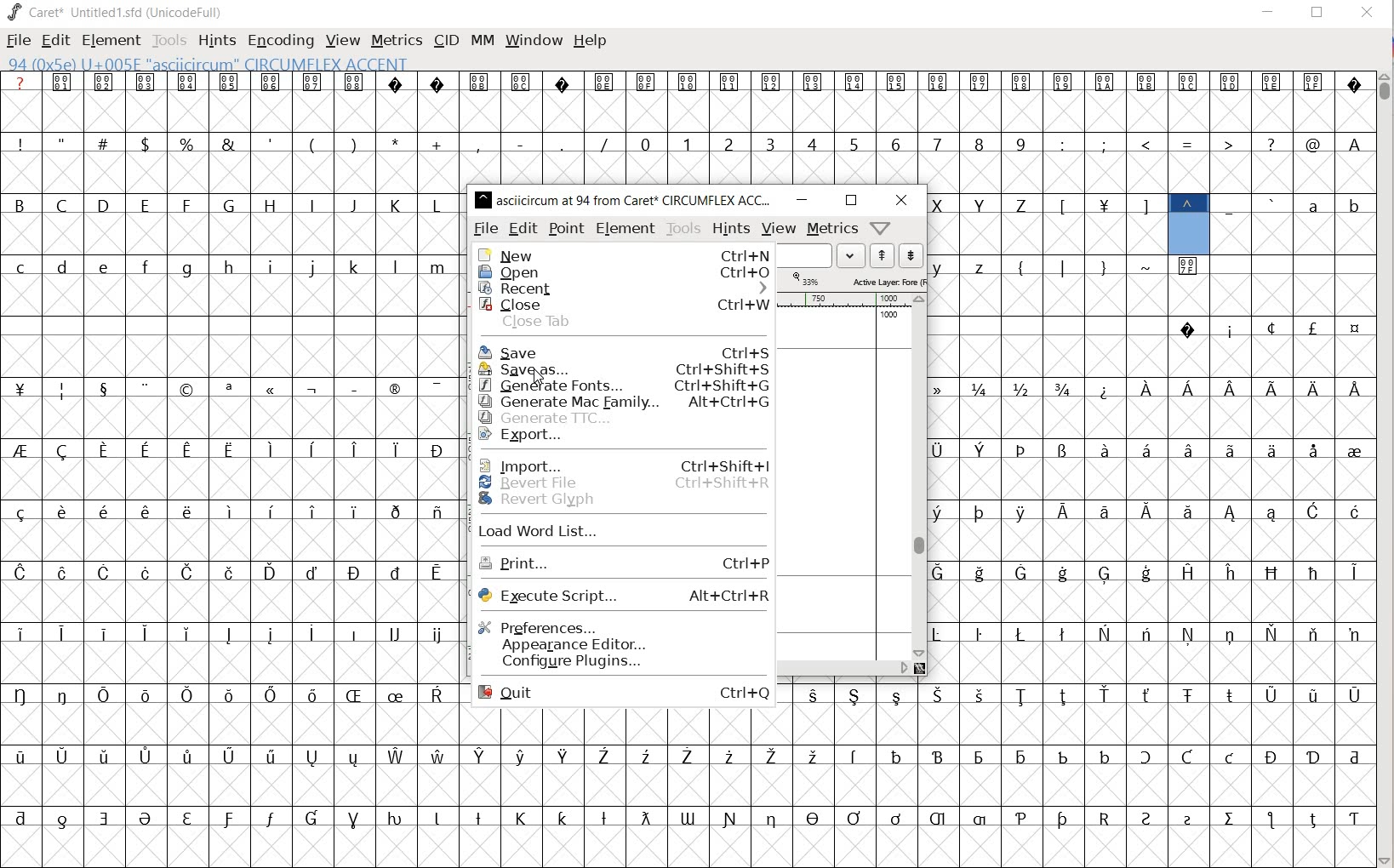 The width and height of the screenshot is (1394, 868). Describe the element at coordinates (1187, 222) in the screenshot. I see `94 0xSe U+00SE "asciicircum" CIRCUMFLEX ACCENT` at that location.